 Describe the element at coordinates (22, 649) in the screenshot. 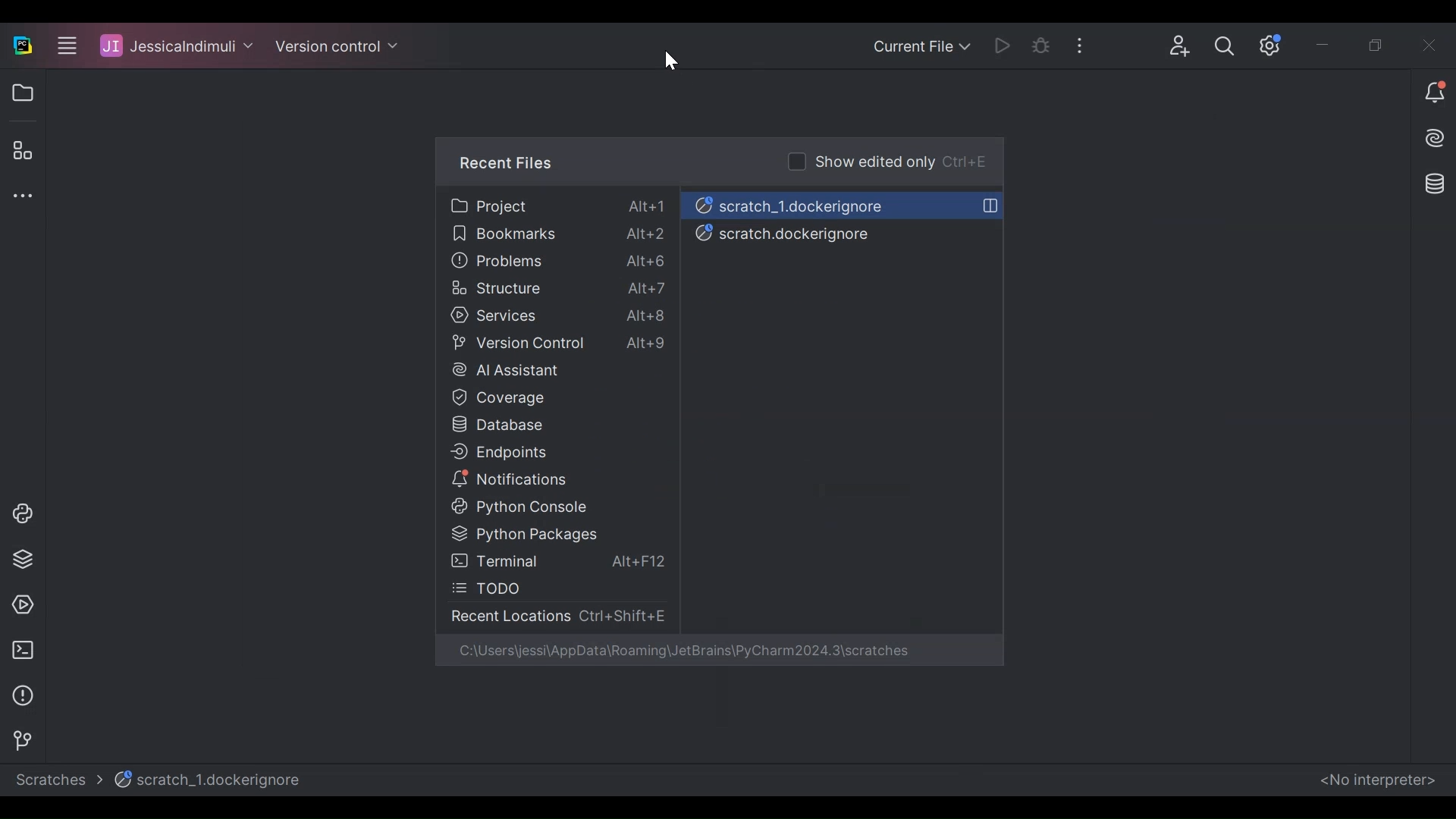

I see `Terminal` at that location.